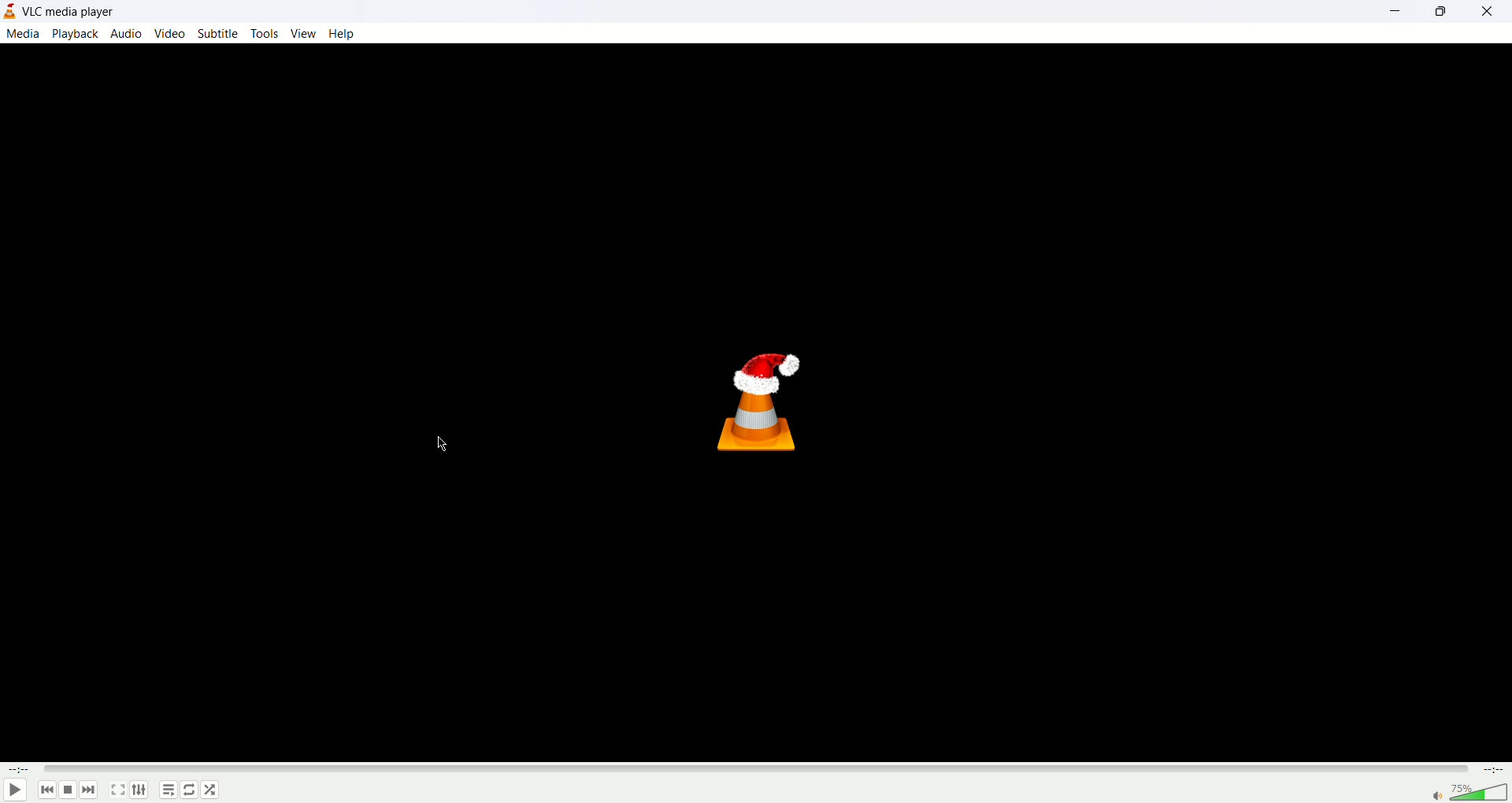 This screenshot has width=1512, height=803. What do you see at coordinates (210, 790) in the screenshot?
I see `random` at bounding box center [210, 790].